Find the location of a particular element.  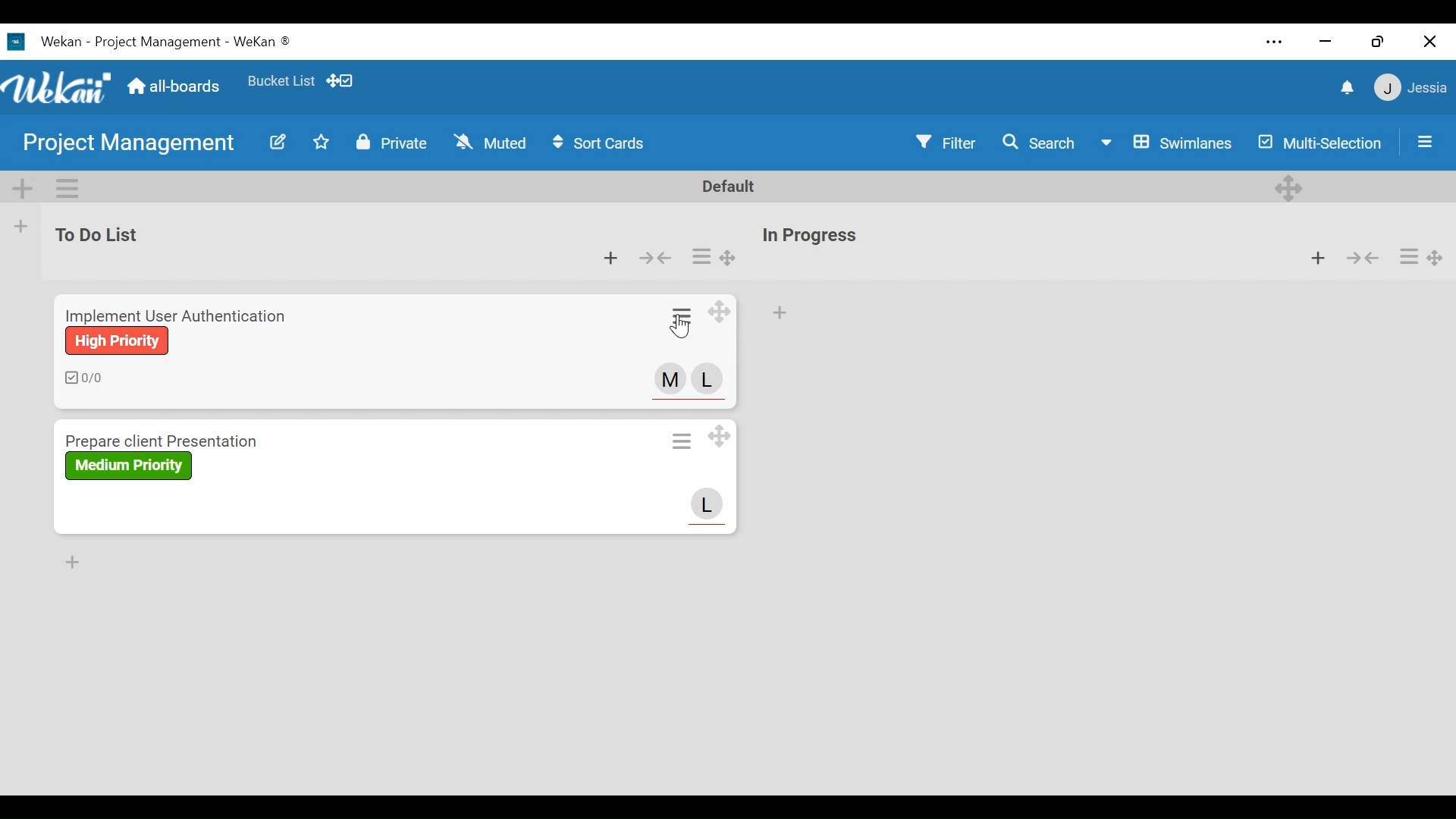

Card actions is located at coordinates (701, 256).